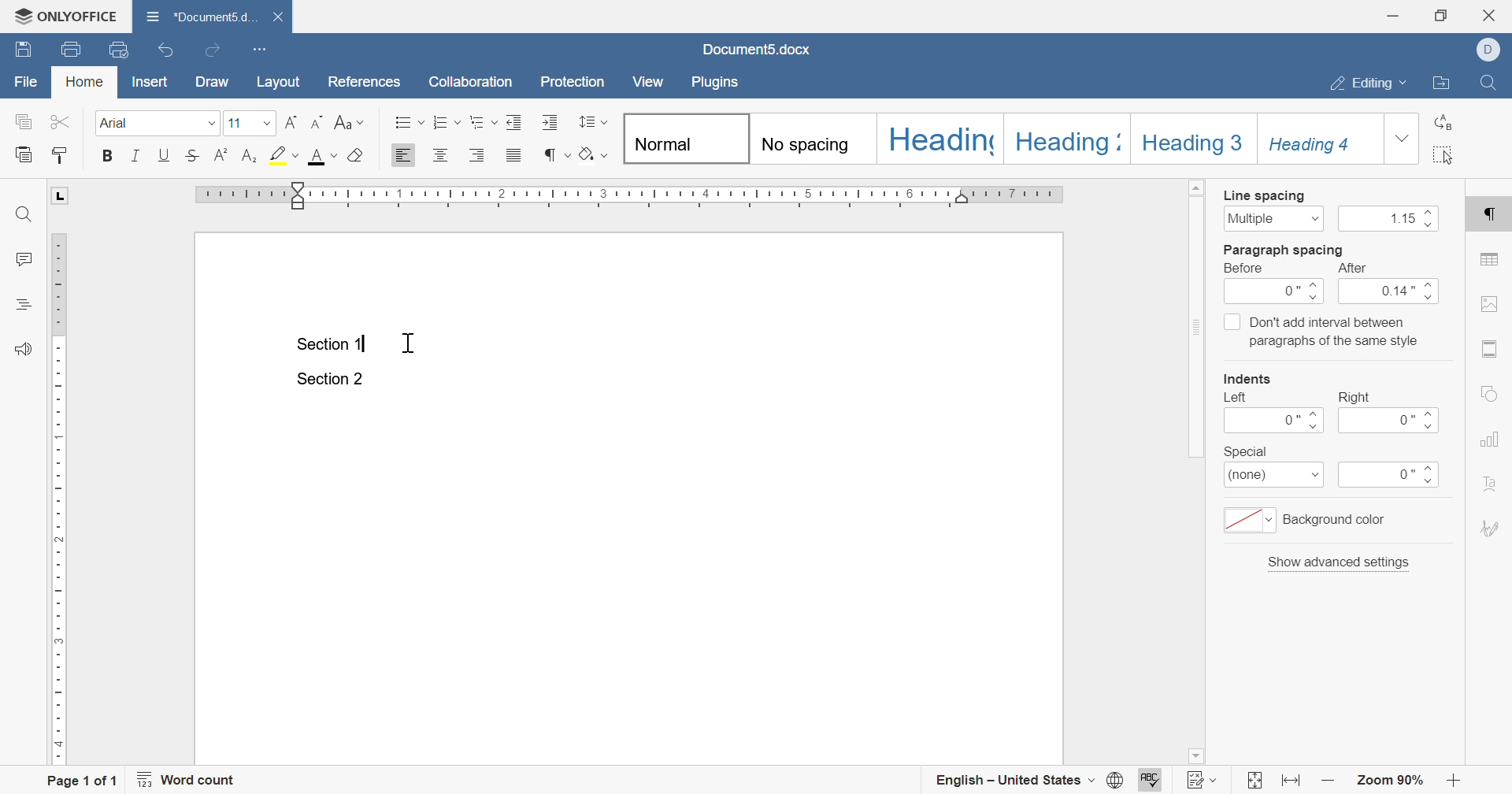 This screenshot has width=1512, height=794. I want to click on customize quick access toolbar, so click(262, 50).